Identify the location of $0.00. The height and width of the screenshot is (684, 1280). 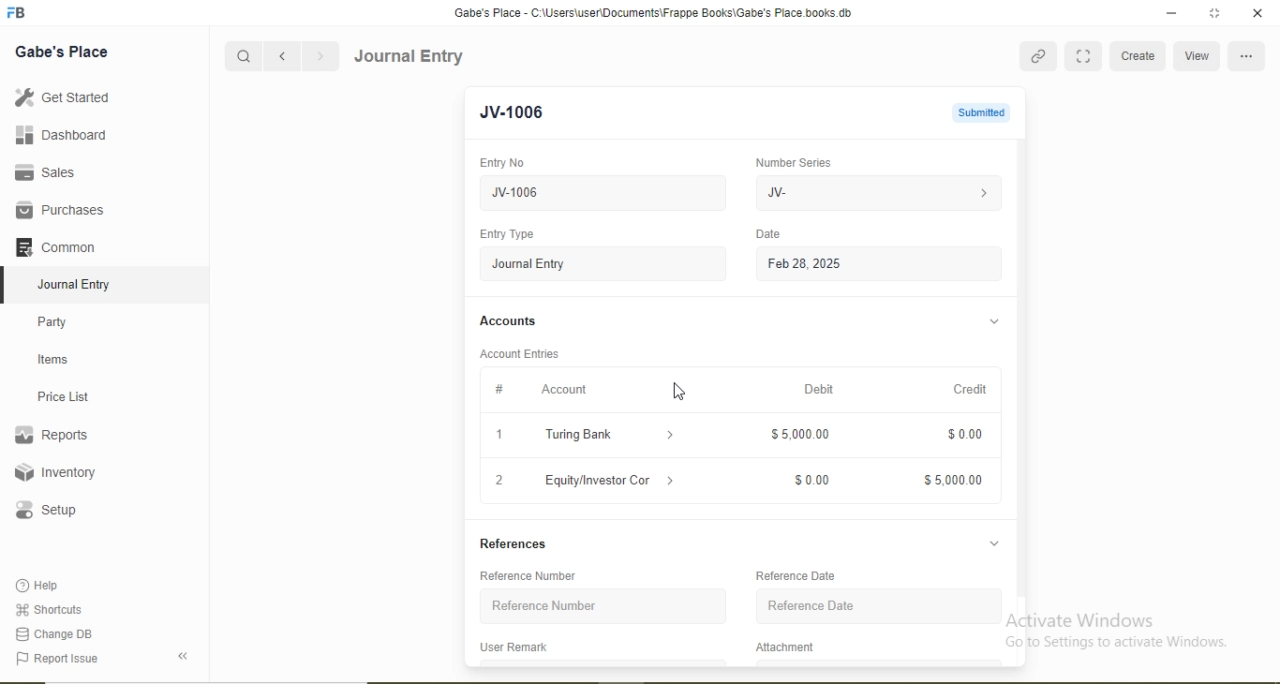
(813, 481).